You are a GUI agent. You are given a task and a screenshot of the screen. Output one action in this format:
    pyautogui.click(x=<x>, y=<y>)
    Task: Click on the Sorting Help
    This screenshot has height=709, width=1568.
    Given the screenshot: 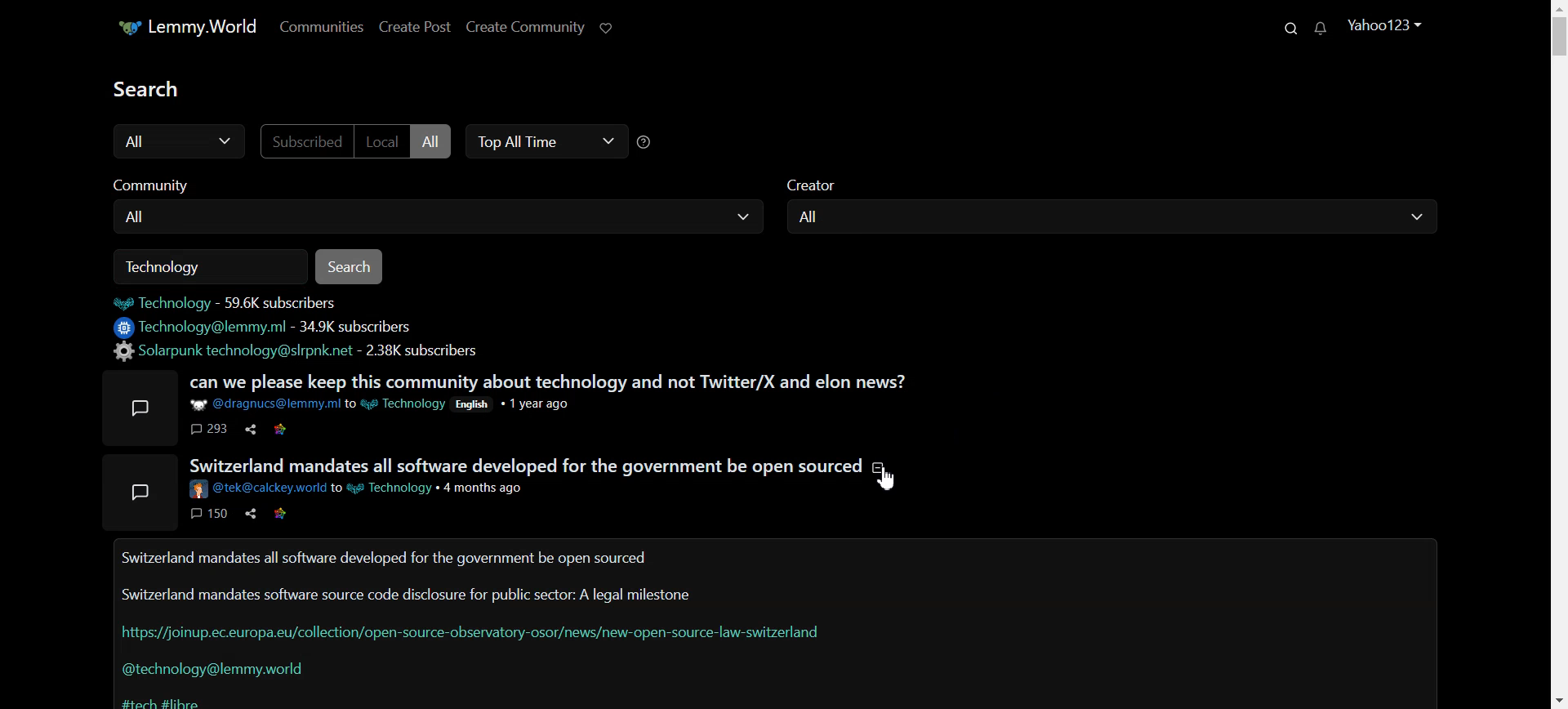 What is the action you would take?
    pyautogui.click(x=647, y=141)
    